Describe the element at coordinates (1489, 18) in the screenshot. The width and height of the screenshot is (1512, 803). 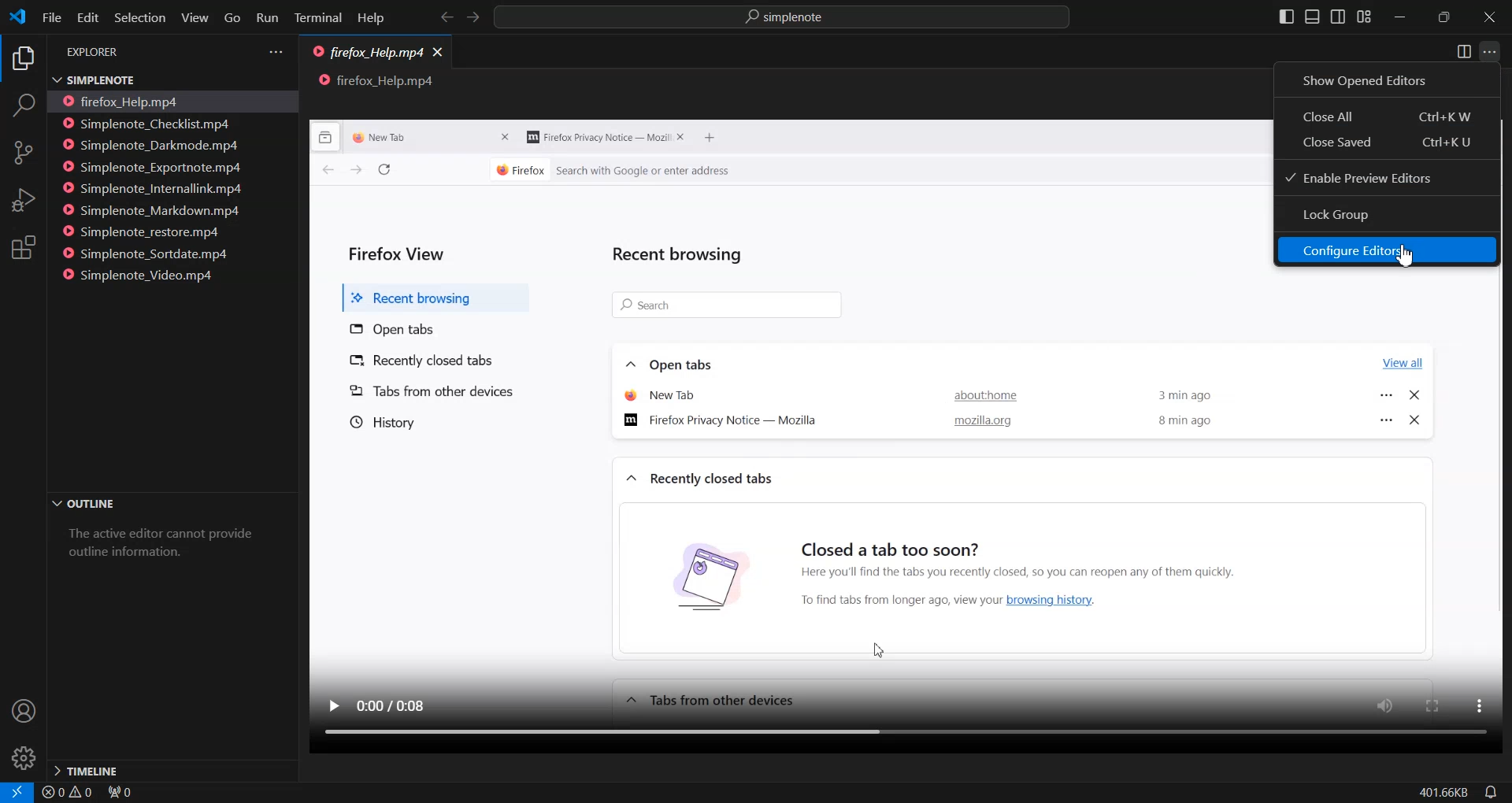
I see `Close` at that location.